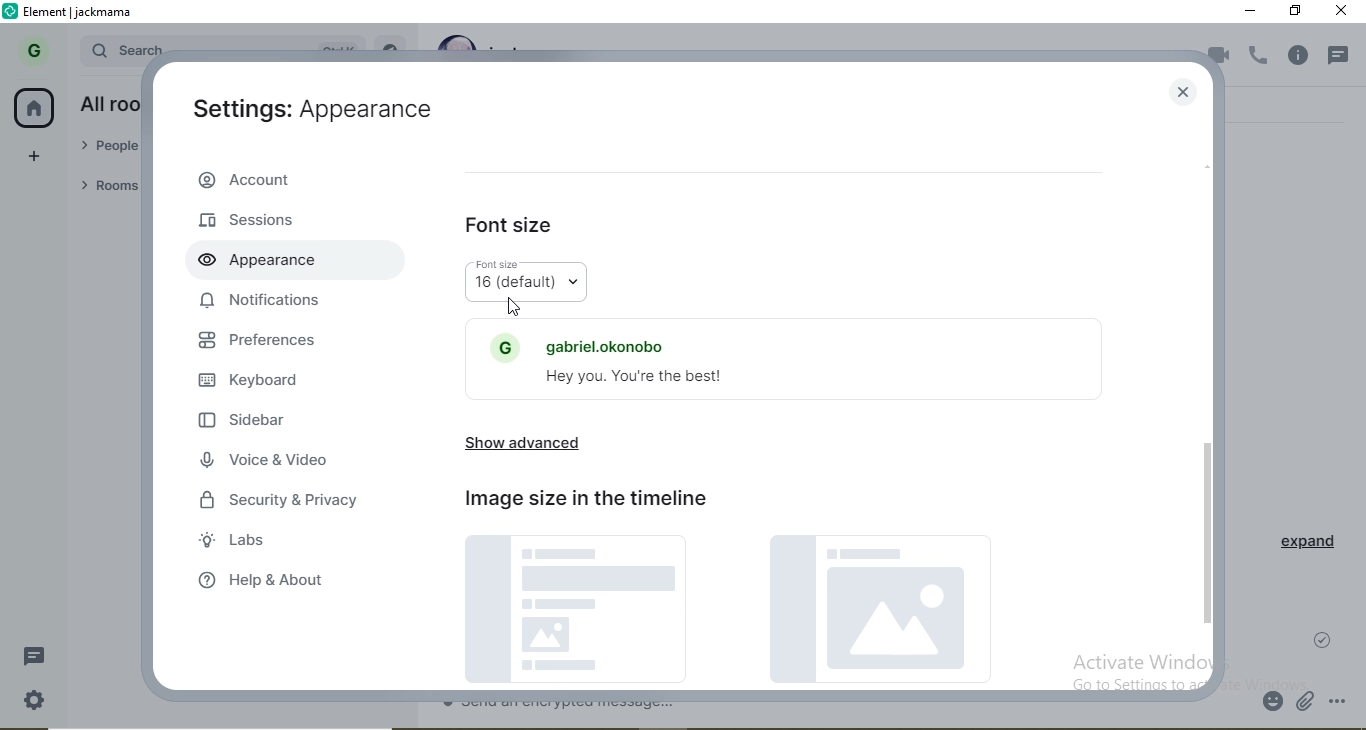  Describe the element at coordinates (1260, 57) in the screenshot. I see `voice call` at that location.